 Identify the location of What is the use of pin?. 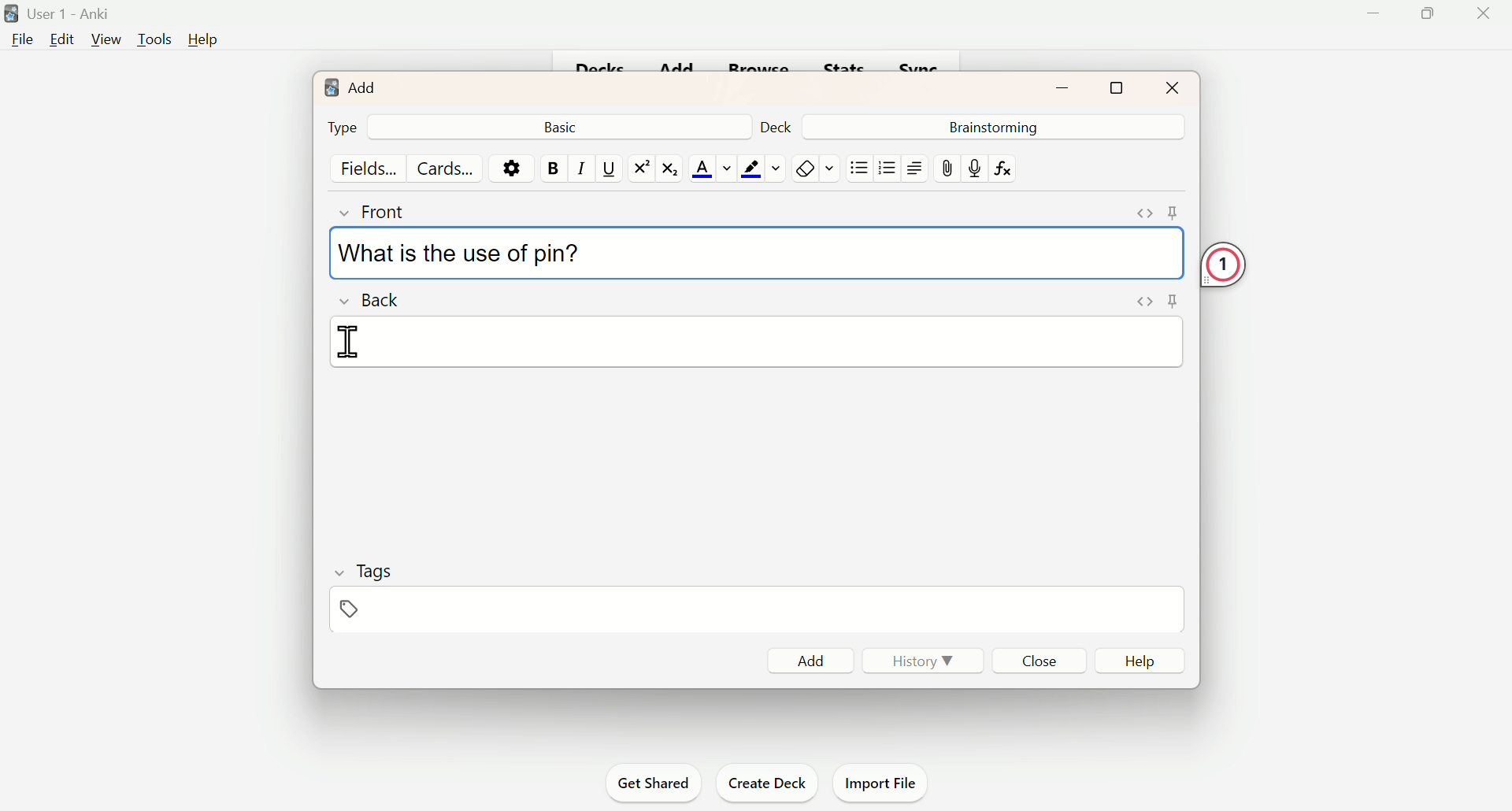
(458, 254).